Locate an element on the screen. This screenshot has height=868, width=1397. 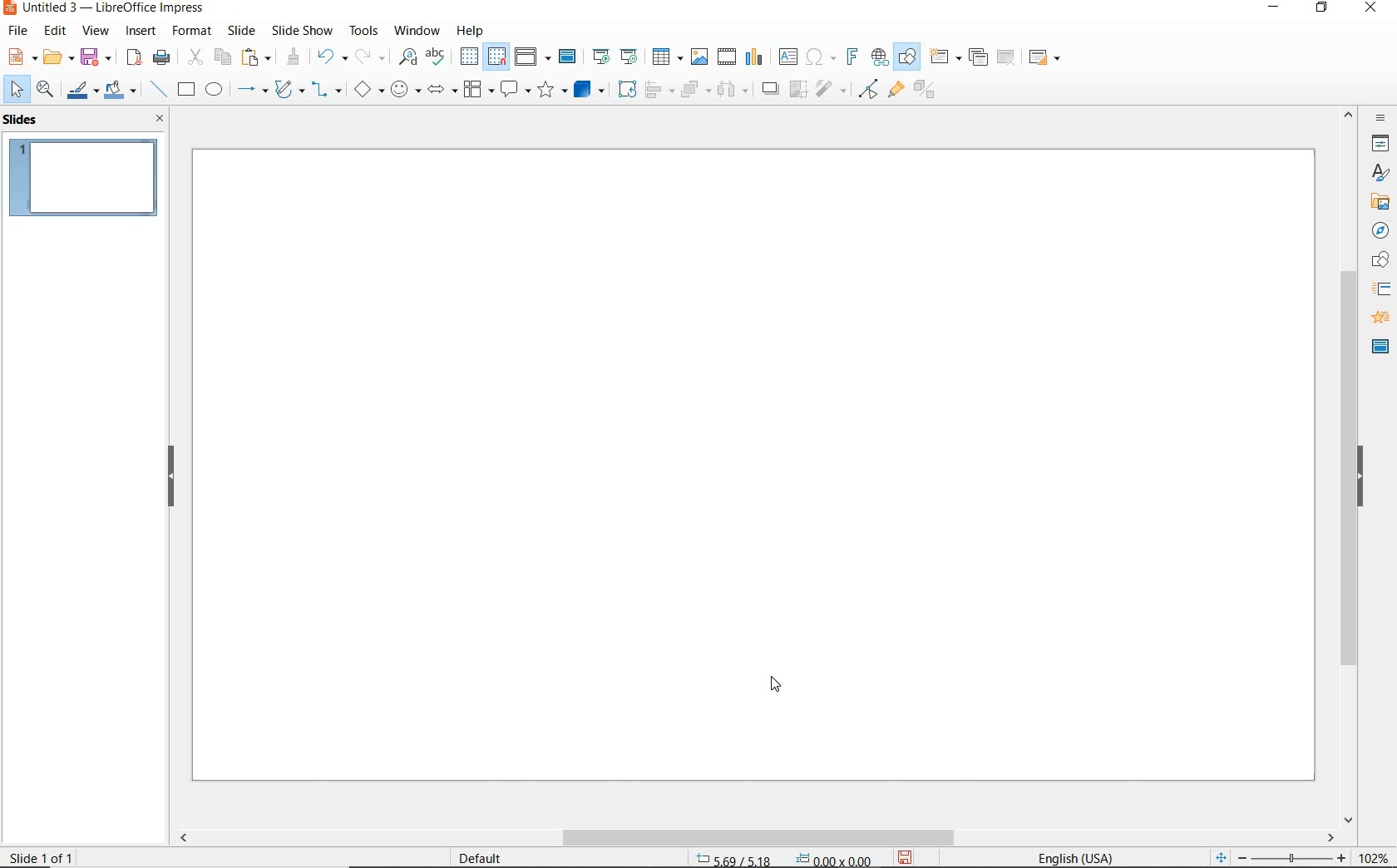
STYLES is located at coordinates (1380, 174).